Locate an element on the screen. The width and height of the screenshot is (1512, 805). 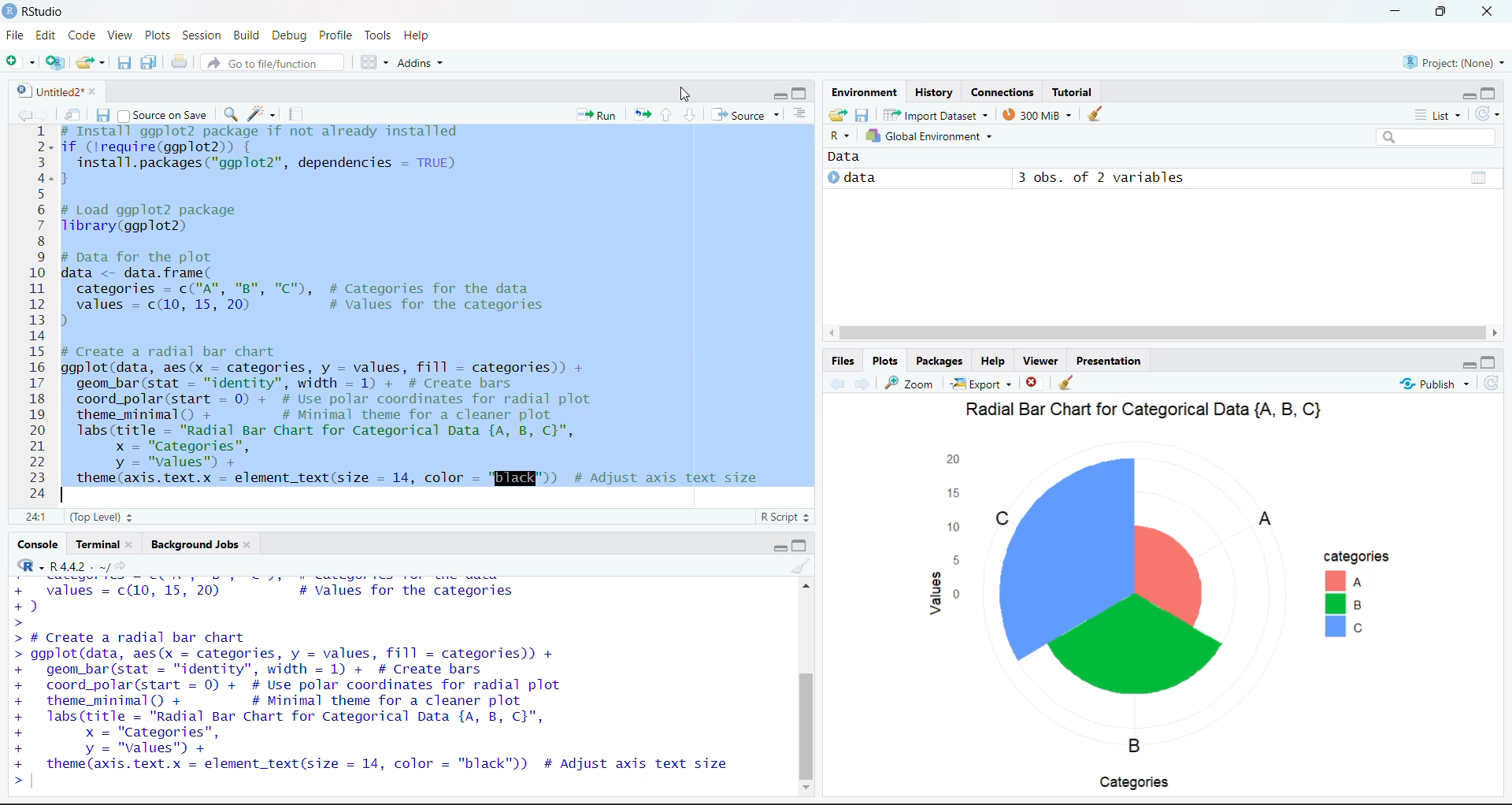
maximize is located at coordinates (1436, 10).